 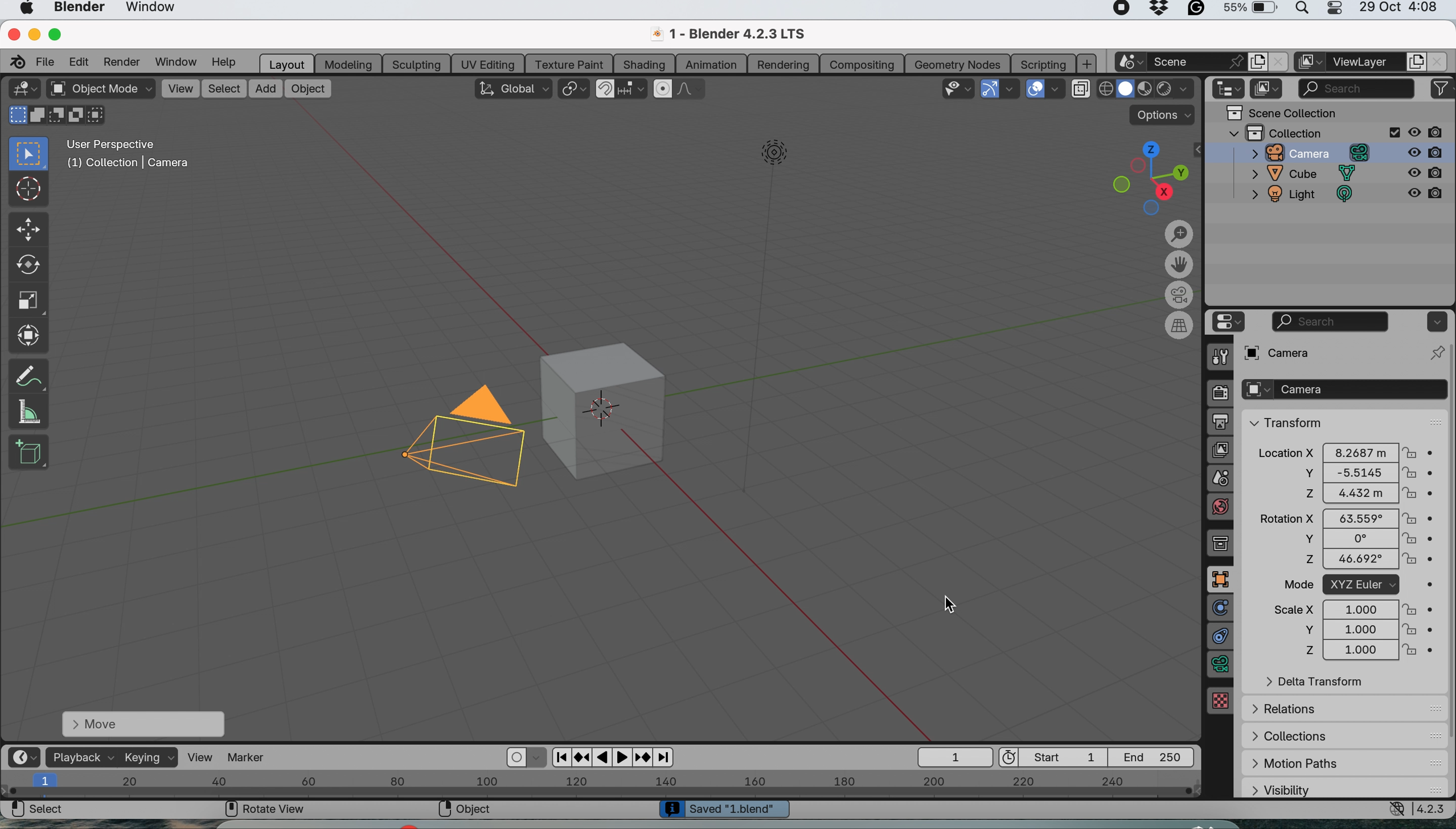 I want to click on minimise, so click(x=31, y=34).